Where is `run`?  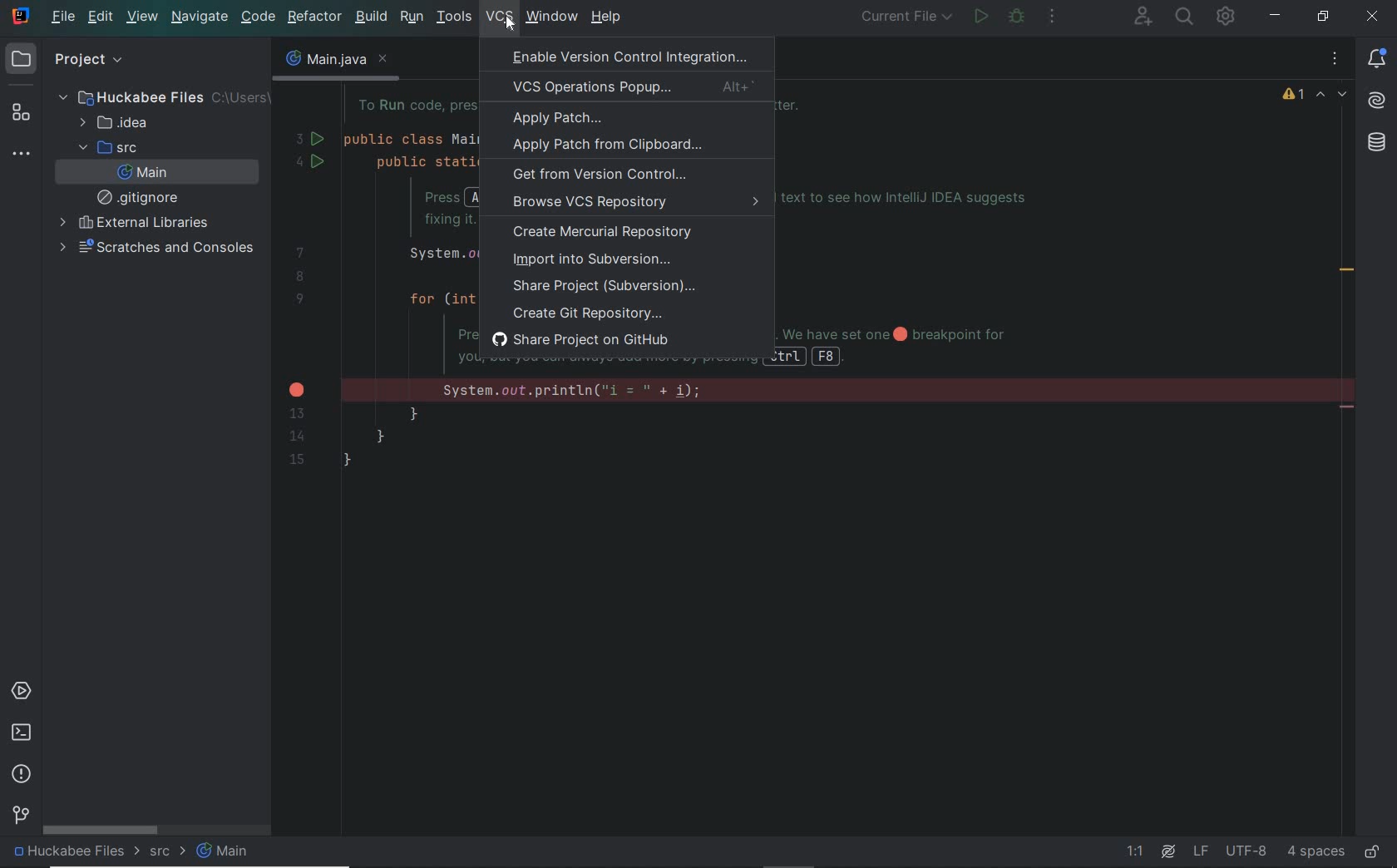 run is located at coordinates (411, 18).